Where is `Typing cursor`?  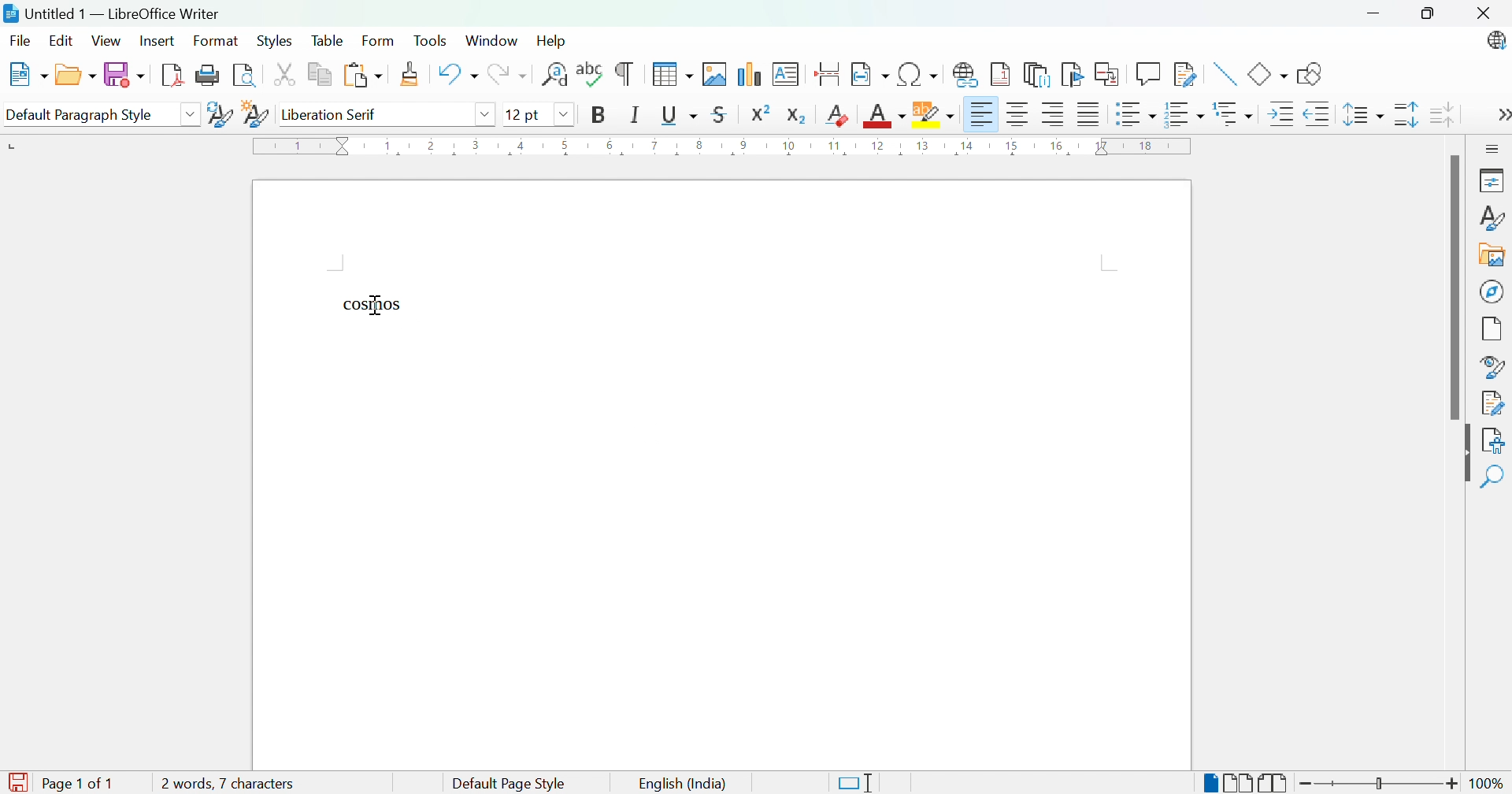 Typing cursor is located at coordinates (366, 307).